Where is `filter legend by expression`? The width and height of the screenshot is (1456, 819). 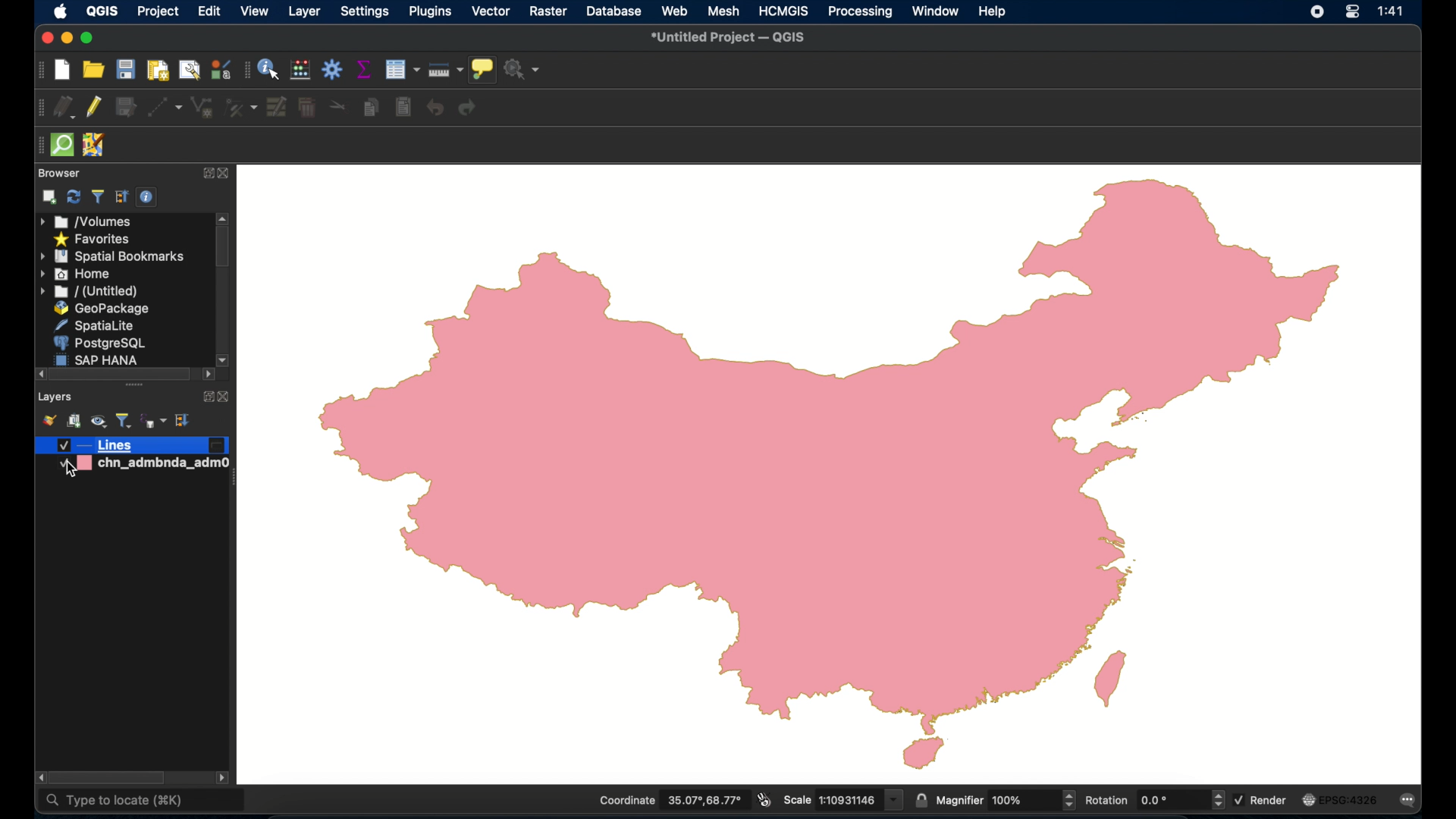
filter legend by expression is located at coordinates (152, 421).